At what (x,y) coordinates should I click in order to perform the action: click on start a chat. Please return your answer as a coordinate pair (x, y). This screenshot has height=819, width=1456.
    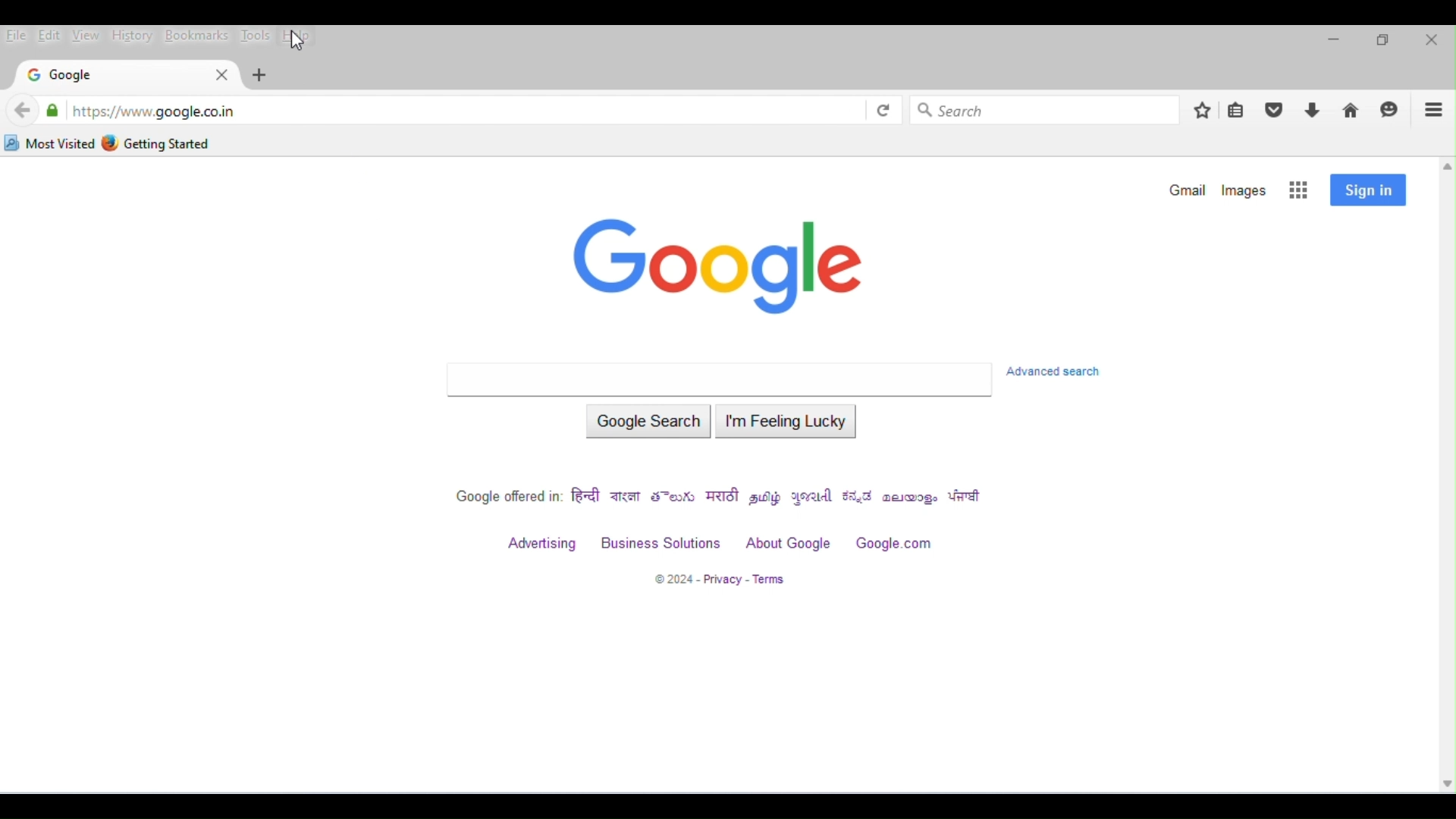
    Looking at the image, I should click on (1392, 110).